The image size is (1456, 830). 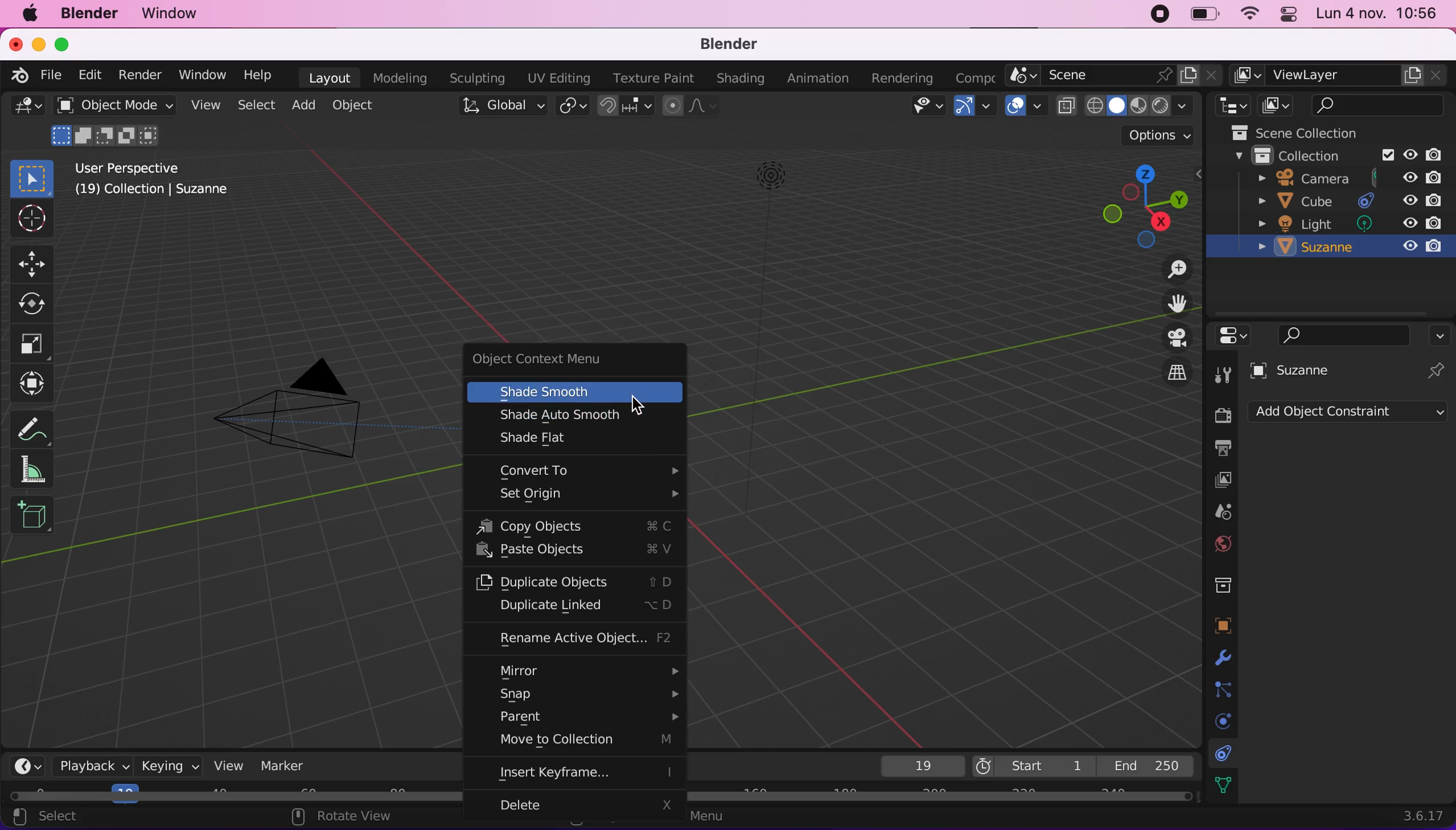 I want to click on rename active object, so click(x=577, y=638).